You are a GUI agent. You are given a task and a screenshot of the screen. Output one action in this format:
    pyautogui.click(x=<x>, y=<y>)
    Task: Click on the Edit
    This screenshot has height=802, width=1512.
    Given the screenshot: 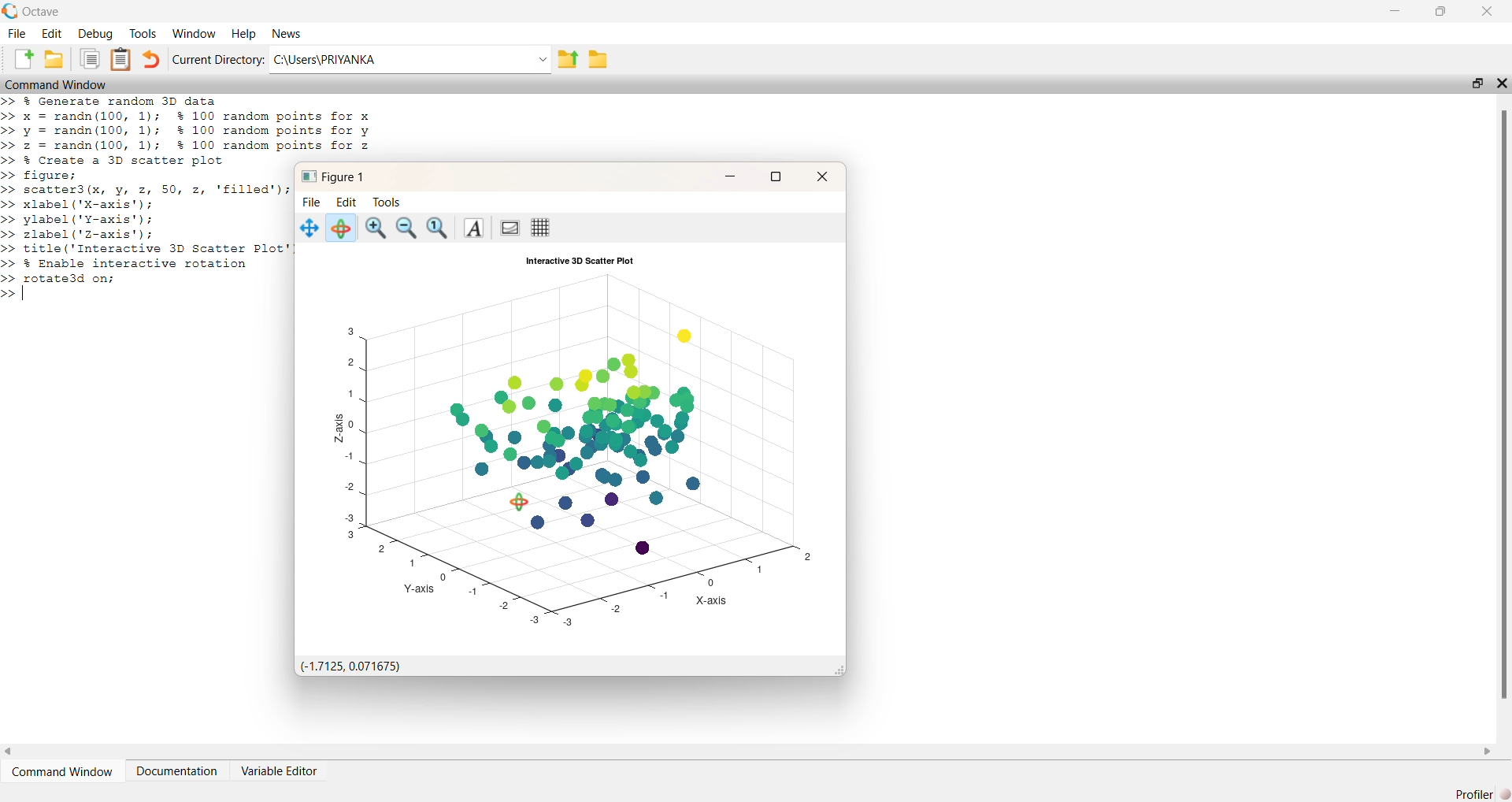 What is the action you would take?
    pyautogui.click(x=51, y=34)
    